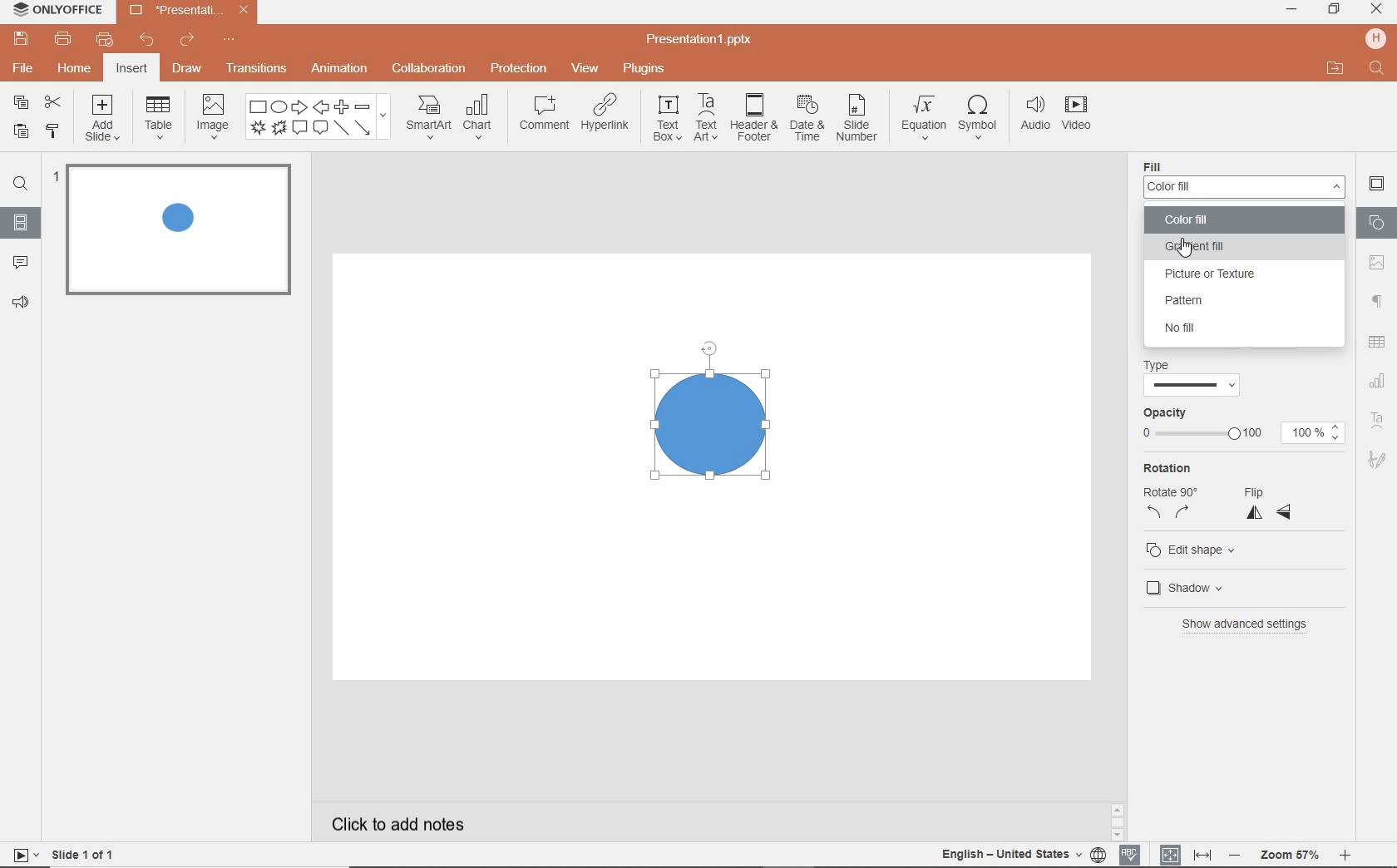 This screenshot has width=1397, height=868. What do you see at coordinates (754, 120) in the screenshot?
I see `header & footer` at bounding box center [754, 120].